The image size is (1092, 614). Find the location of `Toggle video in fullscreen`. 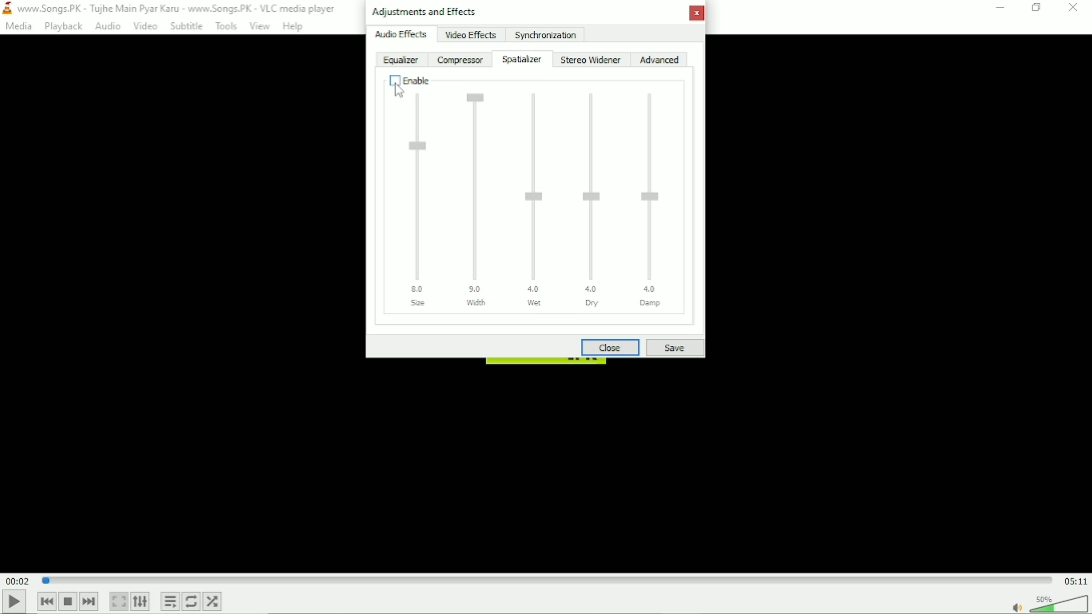

Toggle video in fullscreen is located at coordinates (118, 602).